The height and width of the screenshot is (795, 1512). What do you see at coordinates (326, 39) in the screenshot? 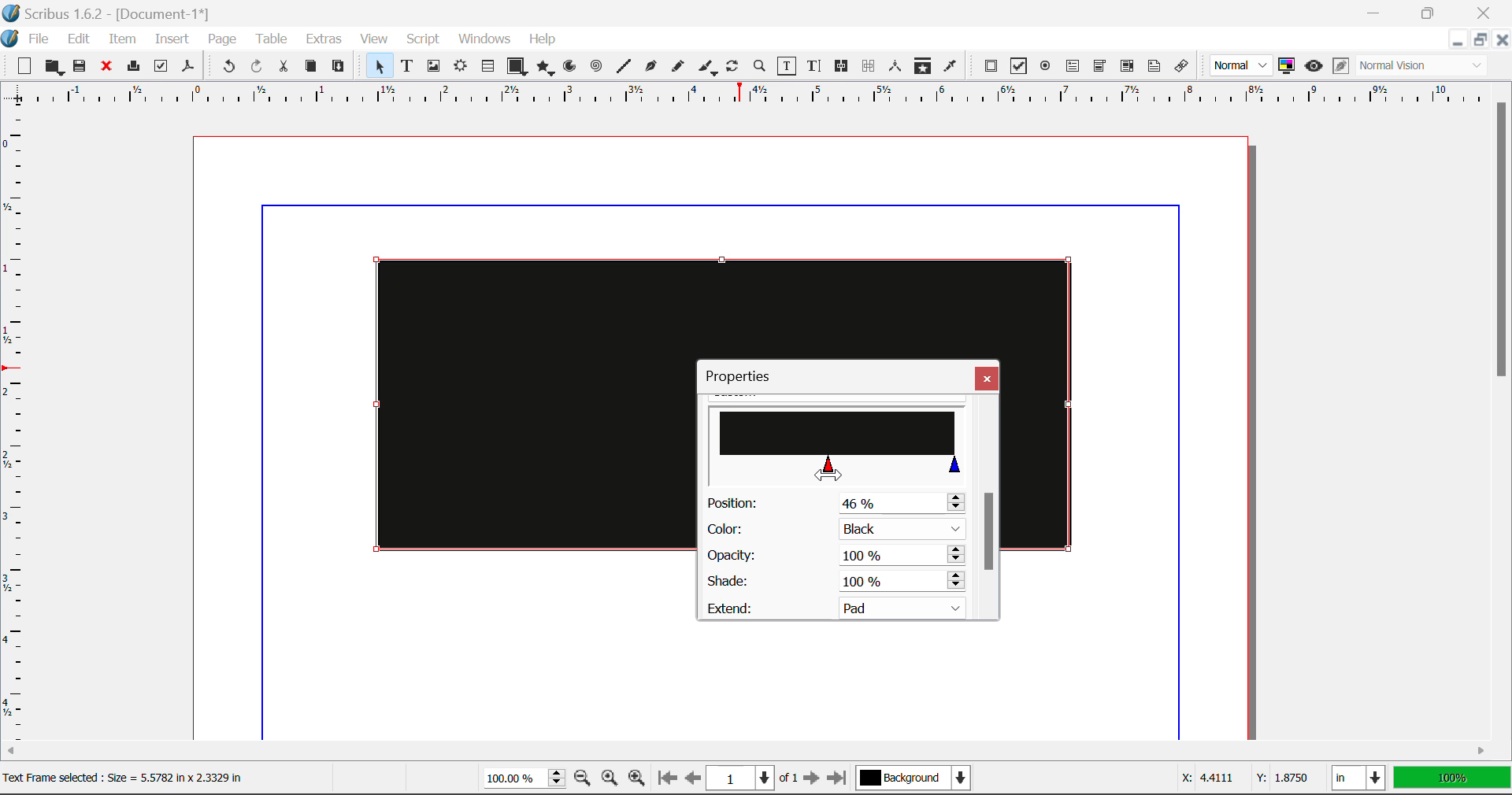
I see `Extras` at bounding box center [326, 39].